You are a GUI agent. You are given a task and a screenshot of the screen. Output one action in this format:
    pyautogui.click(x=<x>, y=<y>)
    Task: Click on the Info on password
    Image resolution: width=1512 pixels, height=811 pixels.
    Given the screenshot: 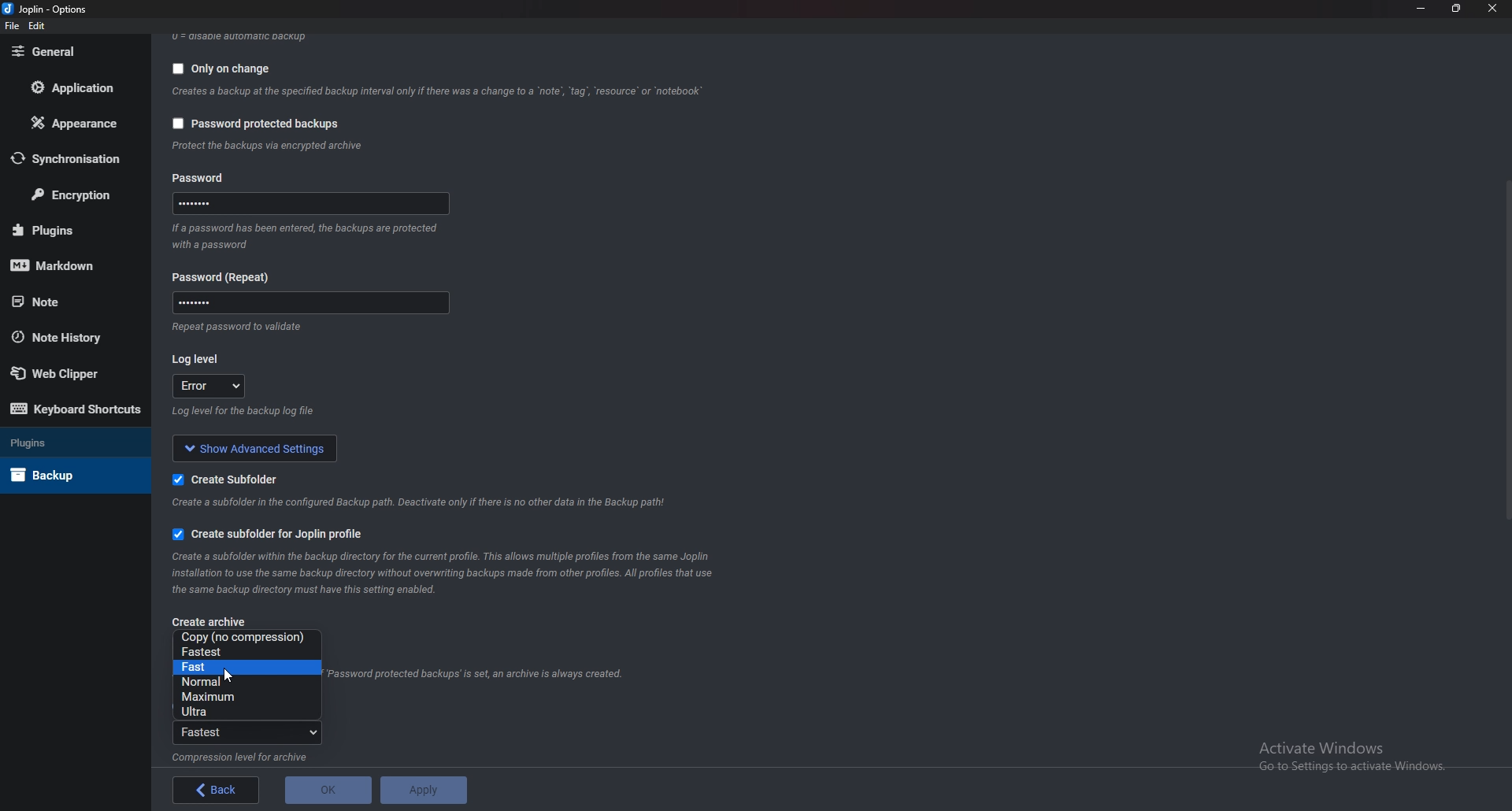 What is the action you would take?
    pyautogui.click(x=243, y=330)
    